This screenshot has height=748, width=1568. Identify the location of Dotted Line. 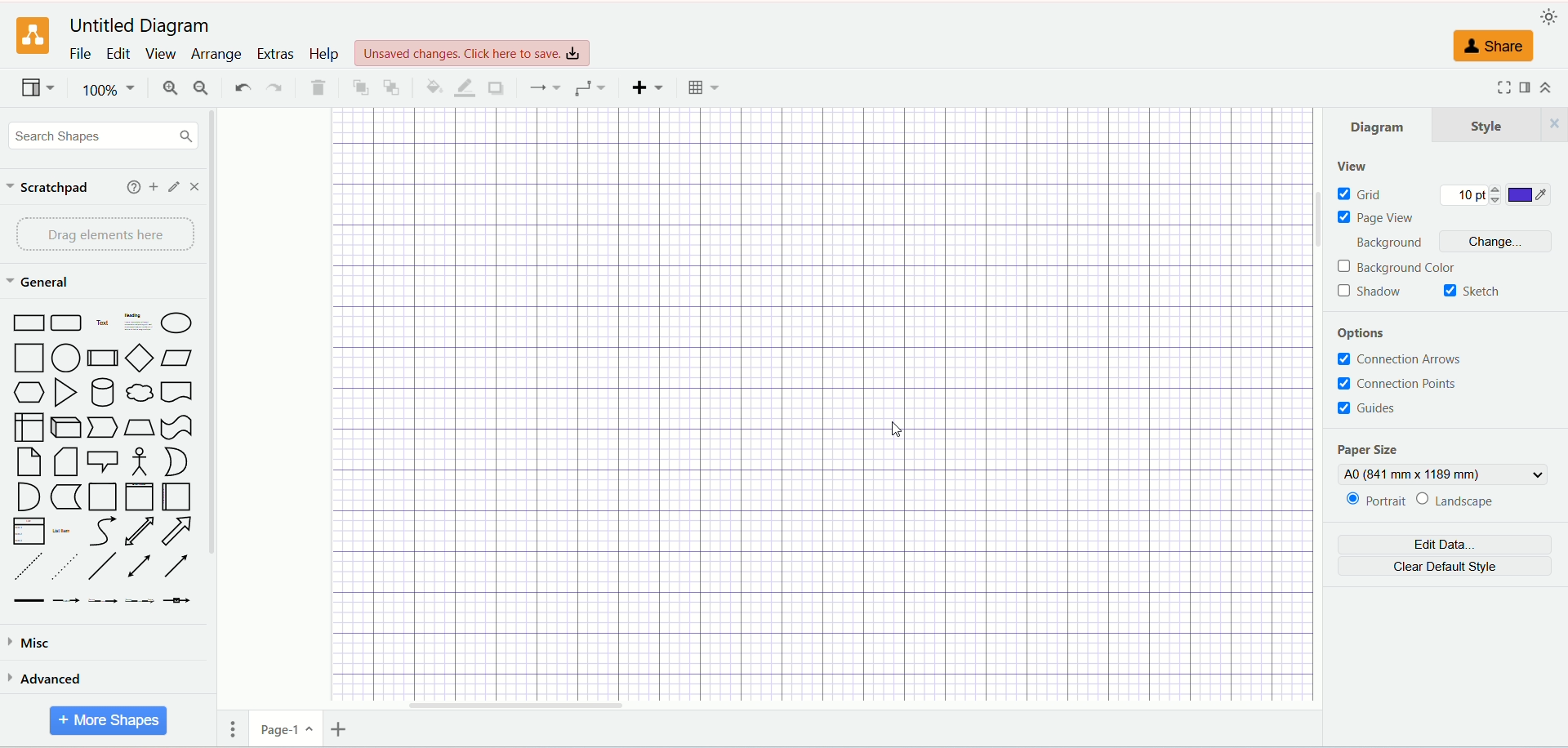
(65, 567).